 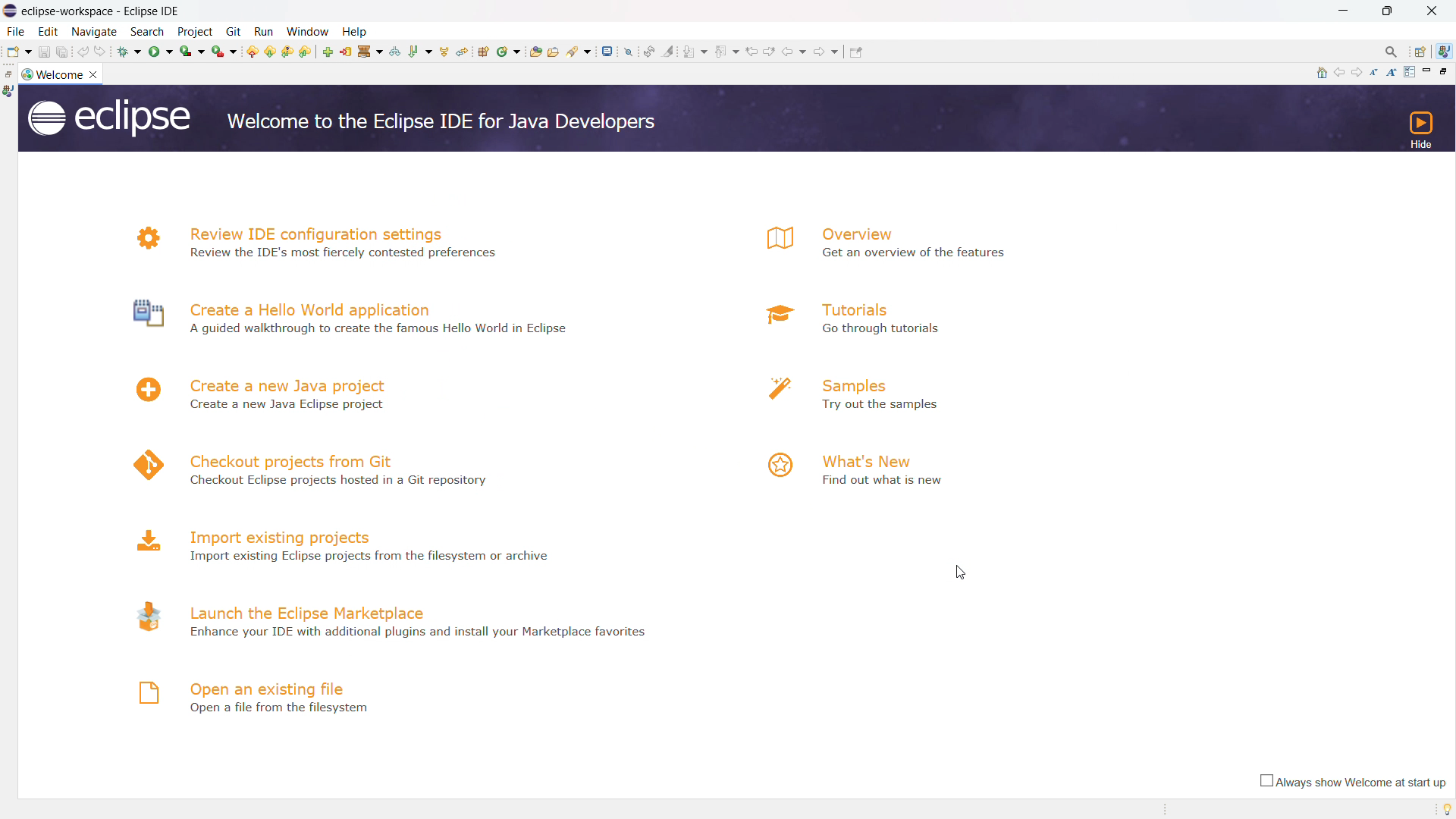 I want to click on access command and other items, so click(x=1392, y=52).